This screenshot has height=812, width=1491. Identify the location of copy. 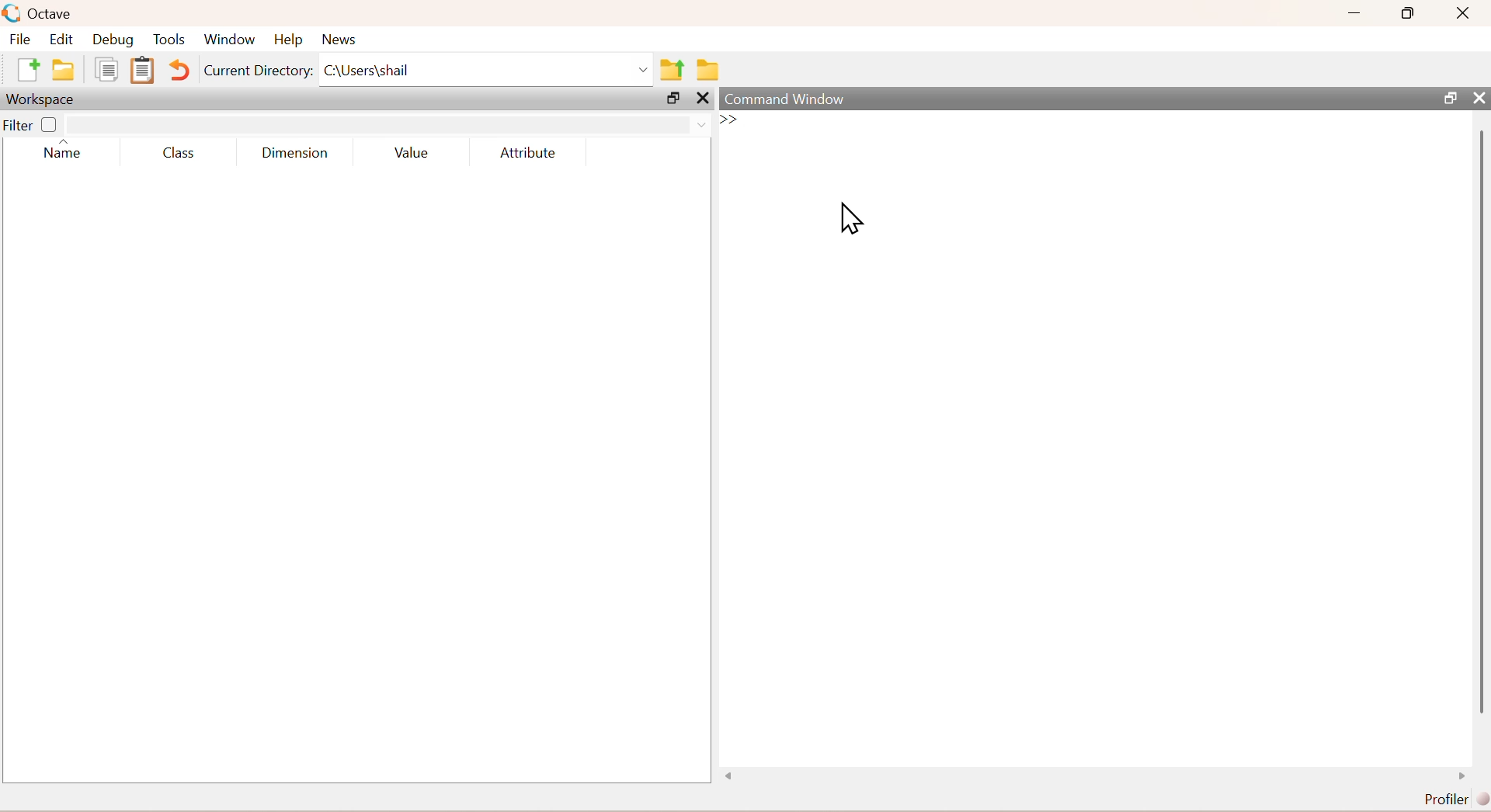
(106, 69).